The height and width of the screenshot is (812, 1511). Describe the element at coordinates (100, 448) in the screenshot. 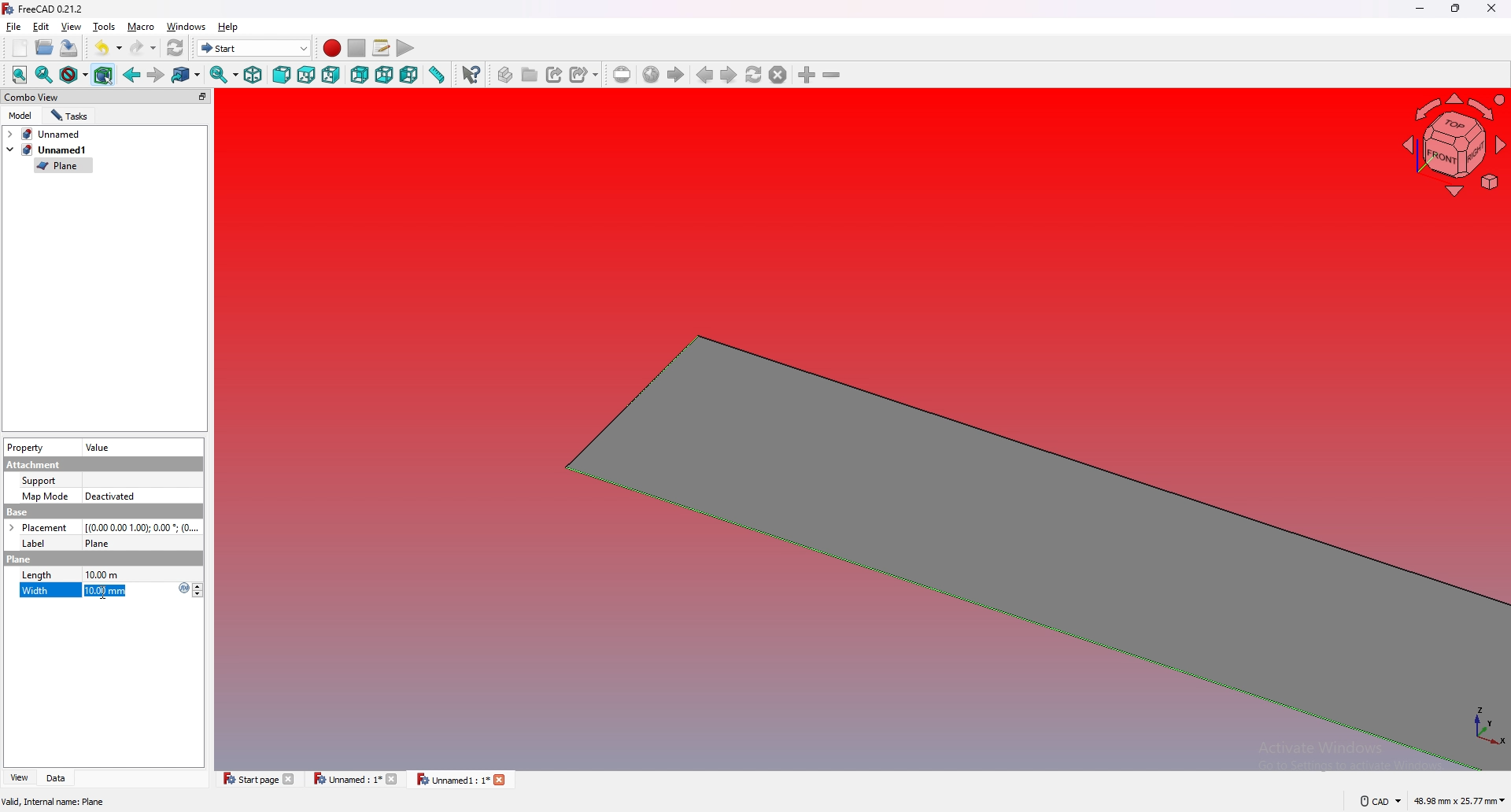

I see `value` at that location.